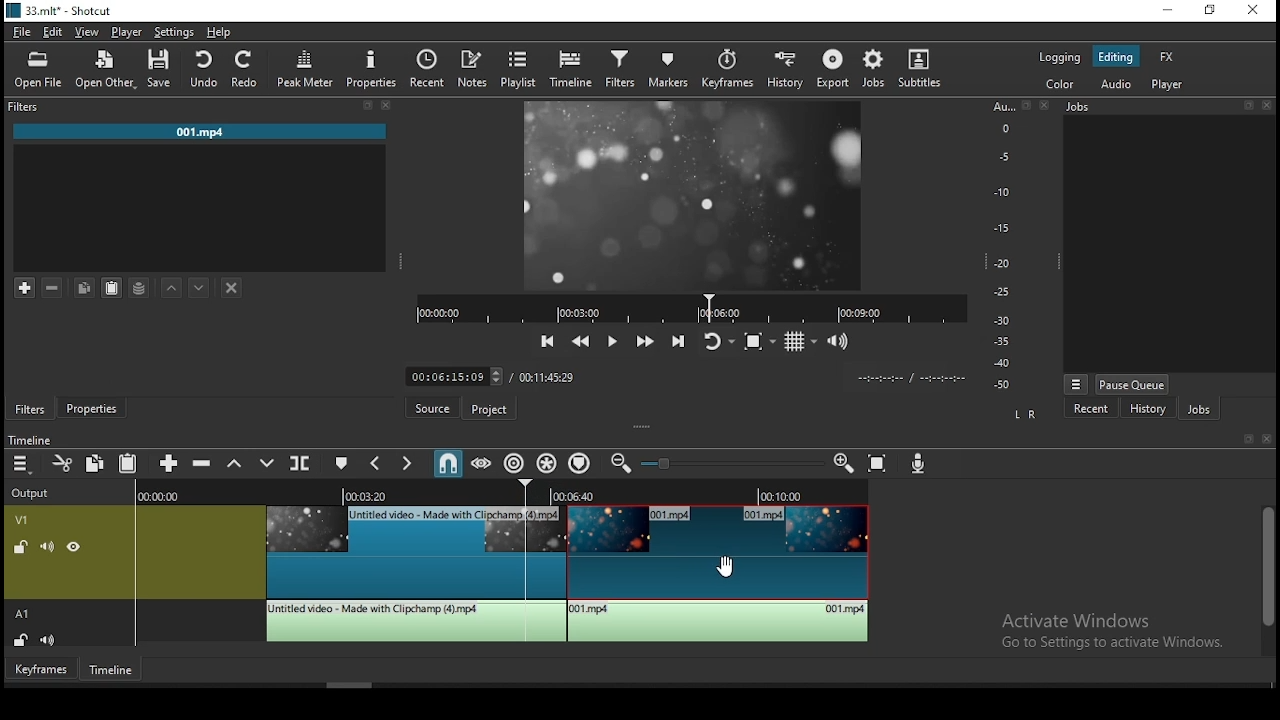  I want to click on notes, so click(469, 67).